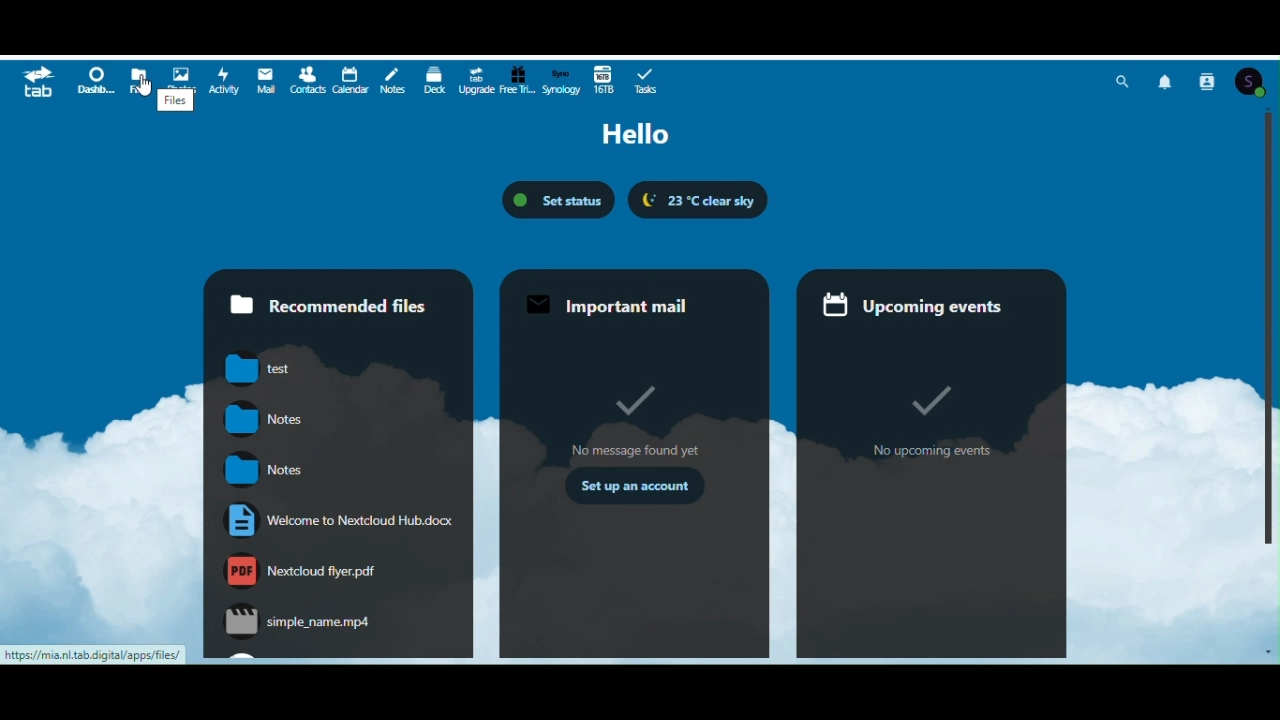 The image size is (1280, 720). I want to click on set up an account, so click(632, 486).